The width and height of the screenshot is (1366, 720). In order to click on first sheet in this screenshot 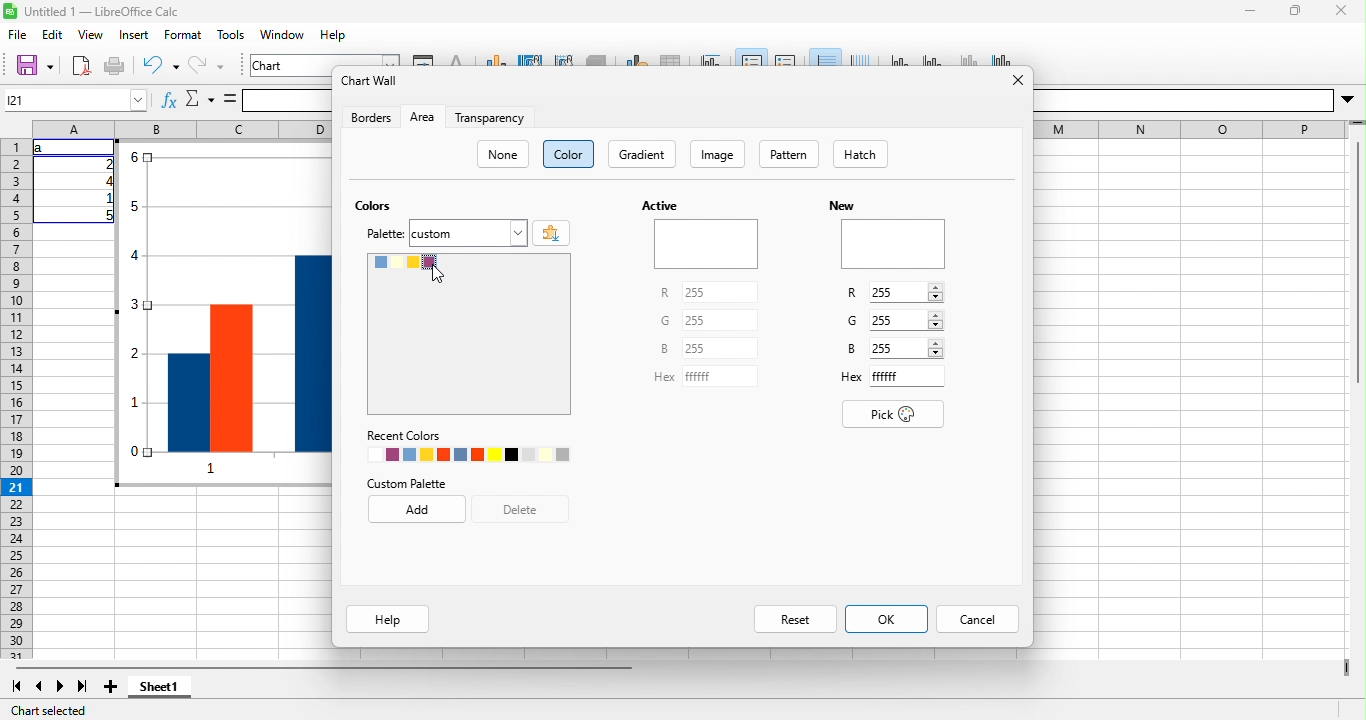, I will do `click(17, 686)`.